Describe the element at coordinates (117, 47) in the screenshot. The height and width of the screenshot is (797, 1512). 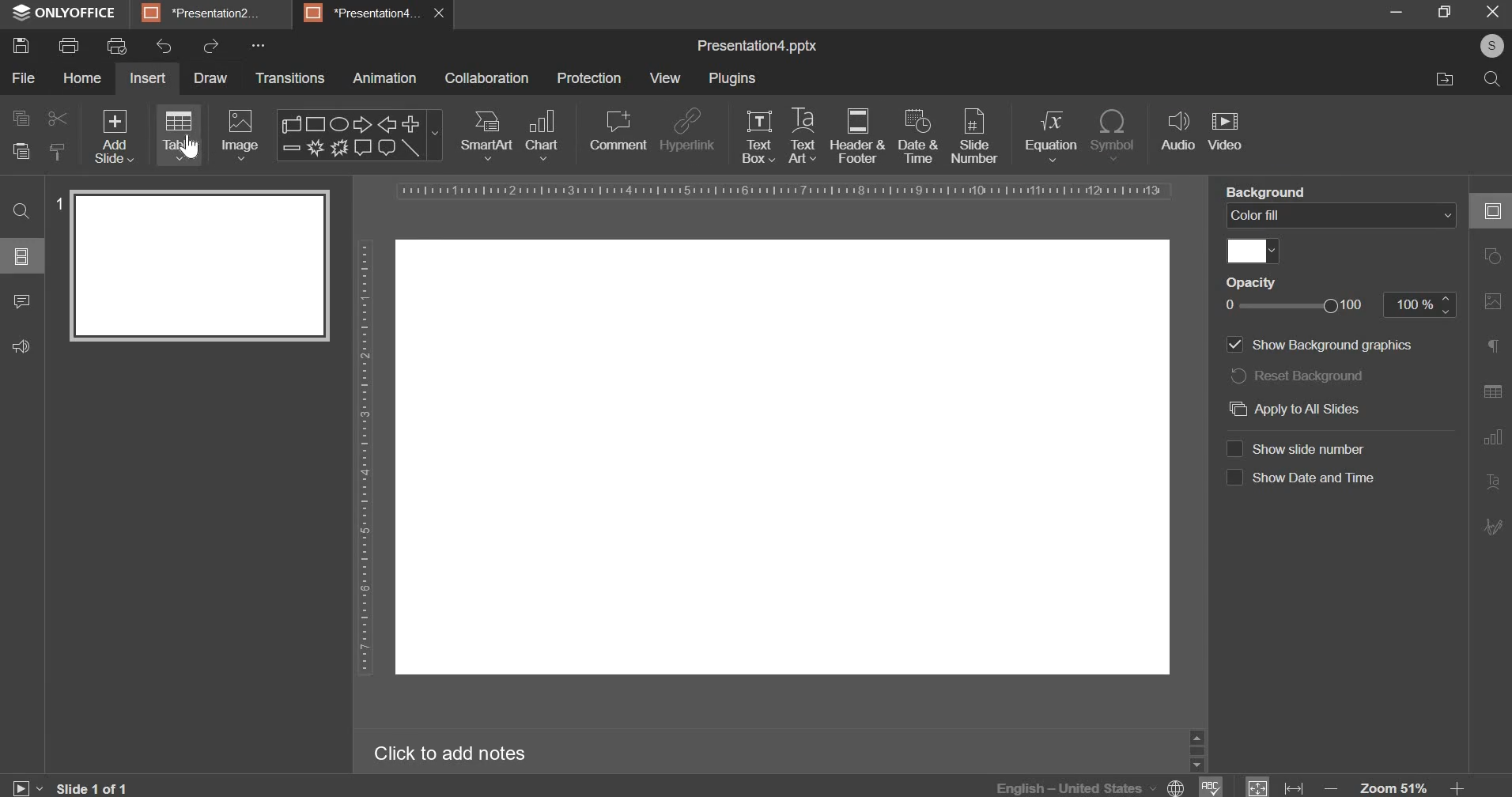
I see `print preview` at that location.